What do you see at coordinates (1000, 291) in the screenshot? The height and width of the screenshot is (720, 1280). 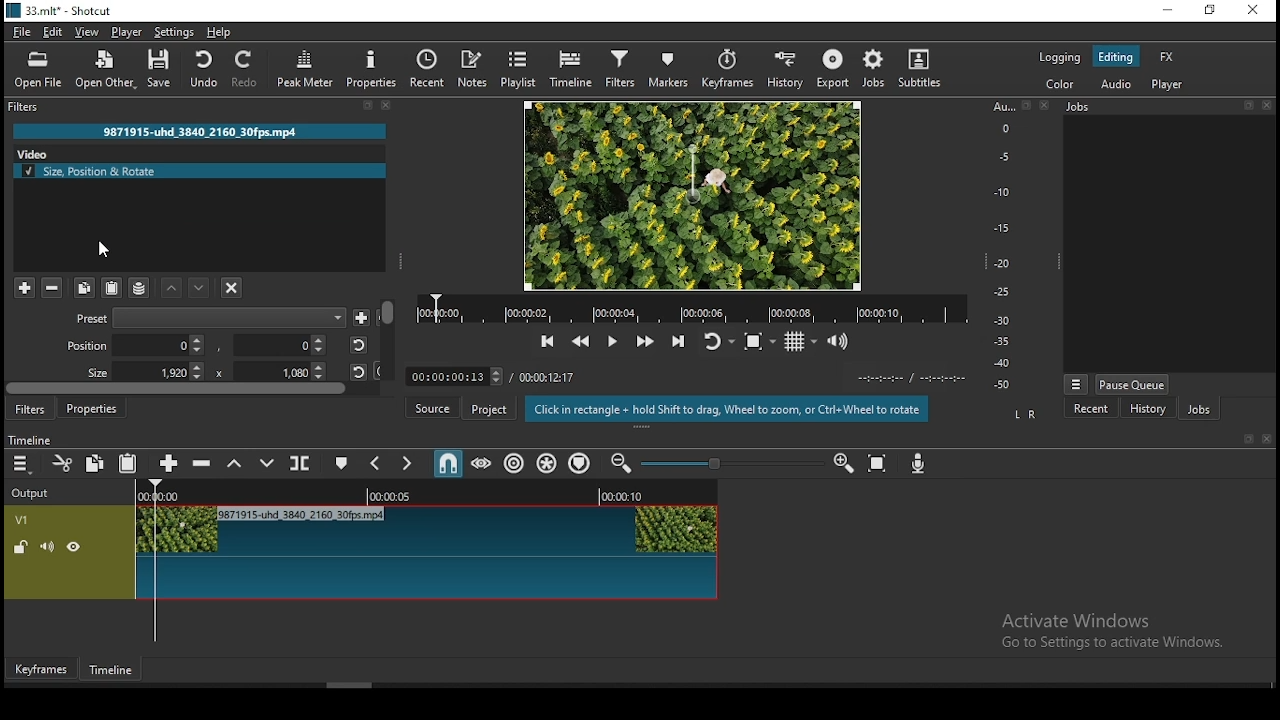 I see `-25` at bounding box center [1000, 291].